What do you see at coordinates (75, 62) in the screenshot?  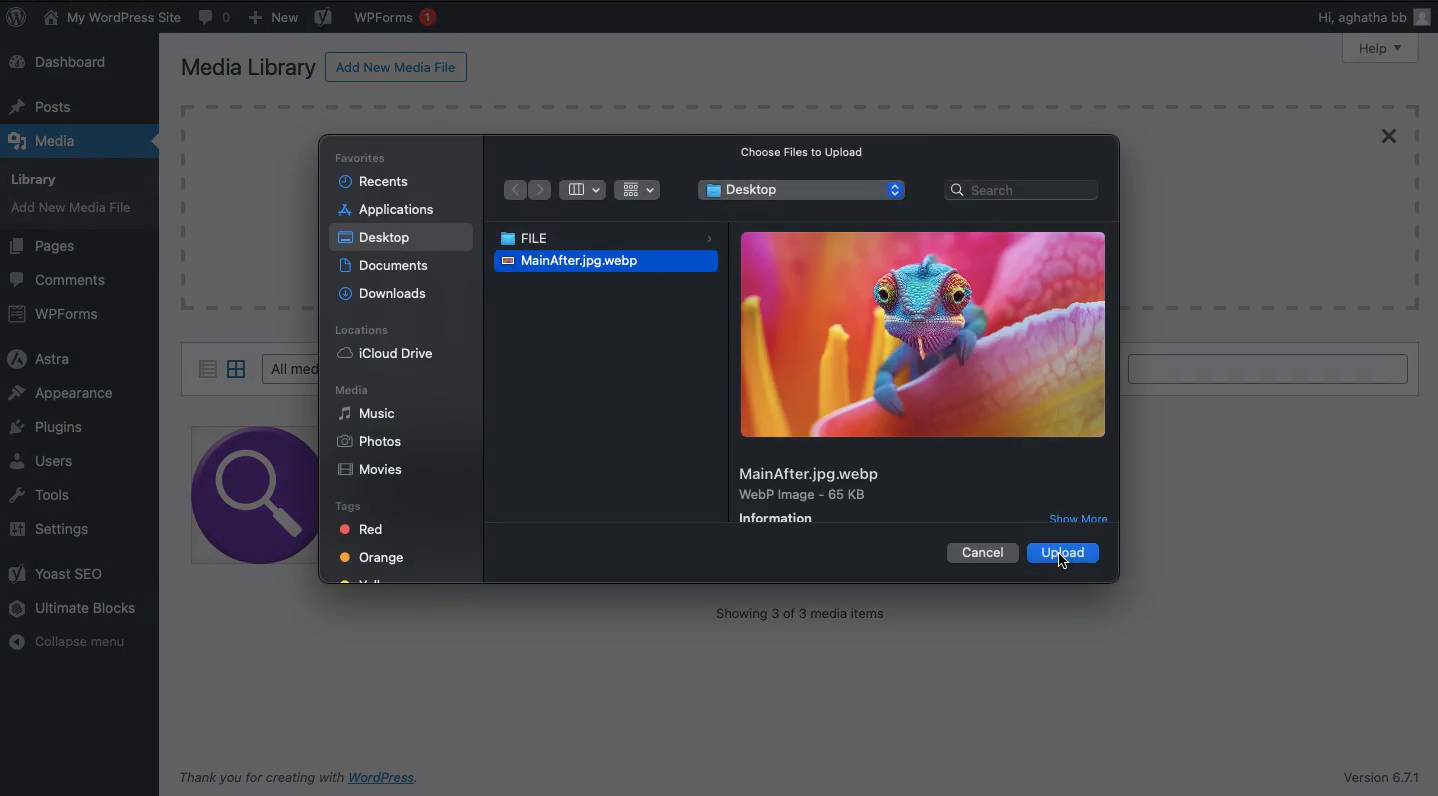 I see `Dashboard` at bounding box center [75, 62].